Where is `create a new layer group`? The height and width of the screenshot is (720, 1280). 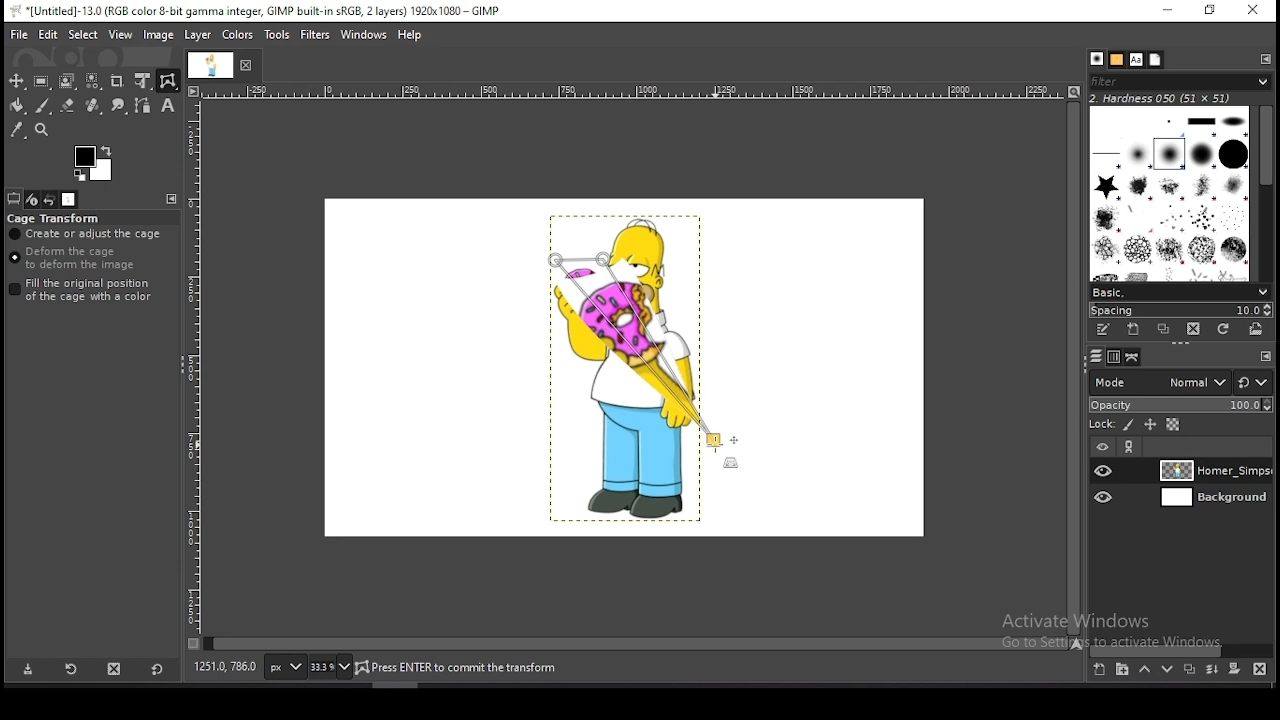
create a new layer group is located at coordinates (1123, 670).